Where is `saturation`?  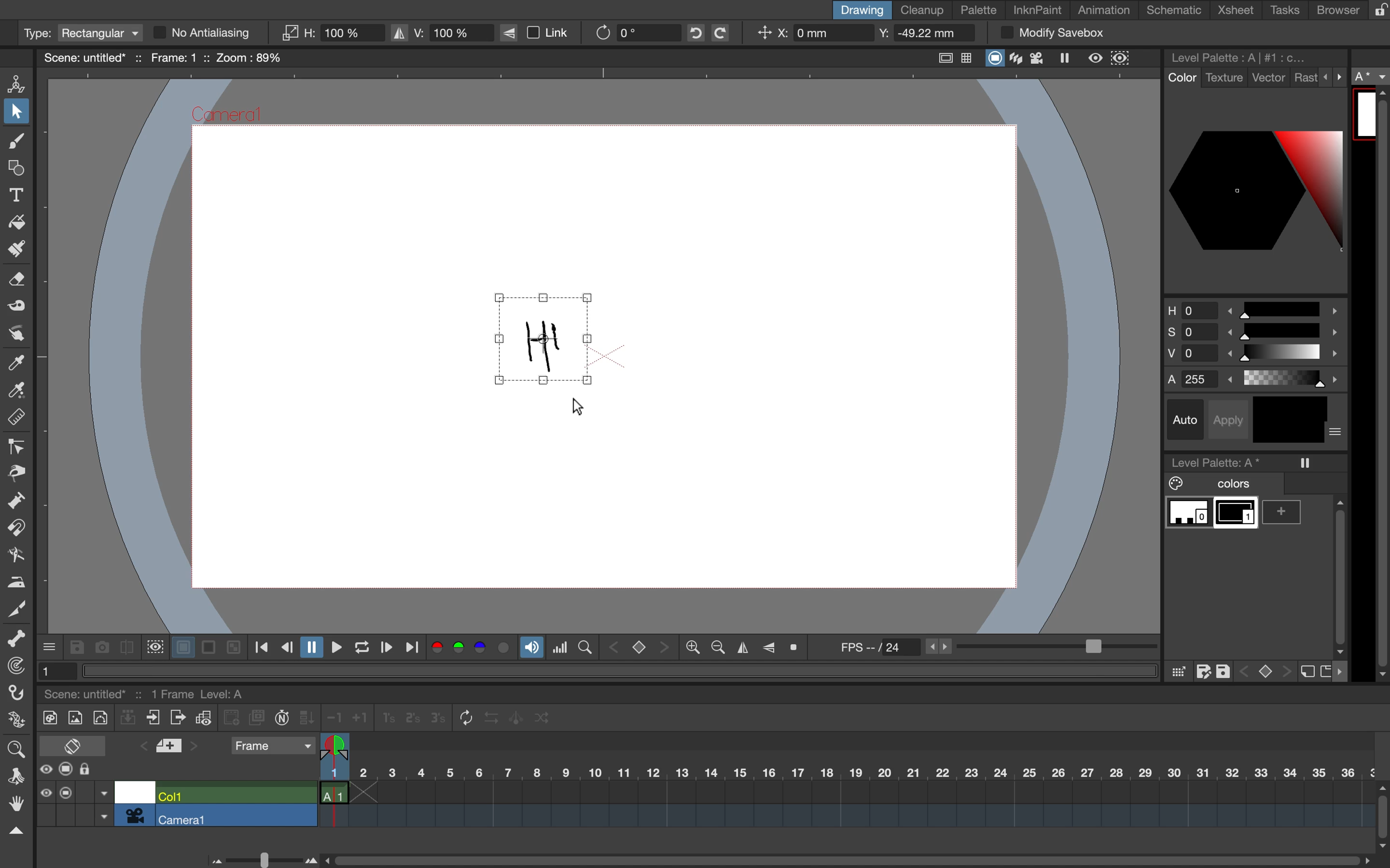 saturation is located at coordinates (1253, 334).